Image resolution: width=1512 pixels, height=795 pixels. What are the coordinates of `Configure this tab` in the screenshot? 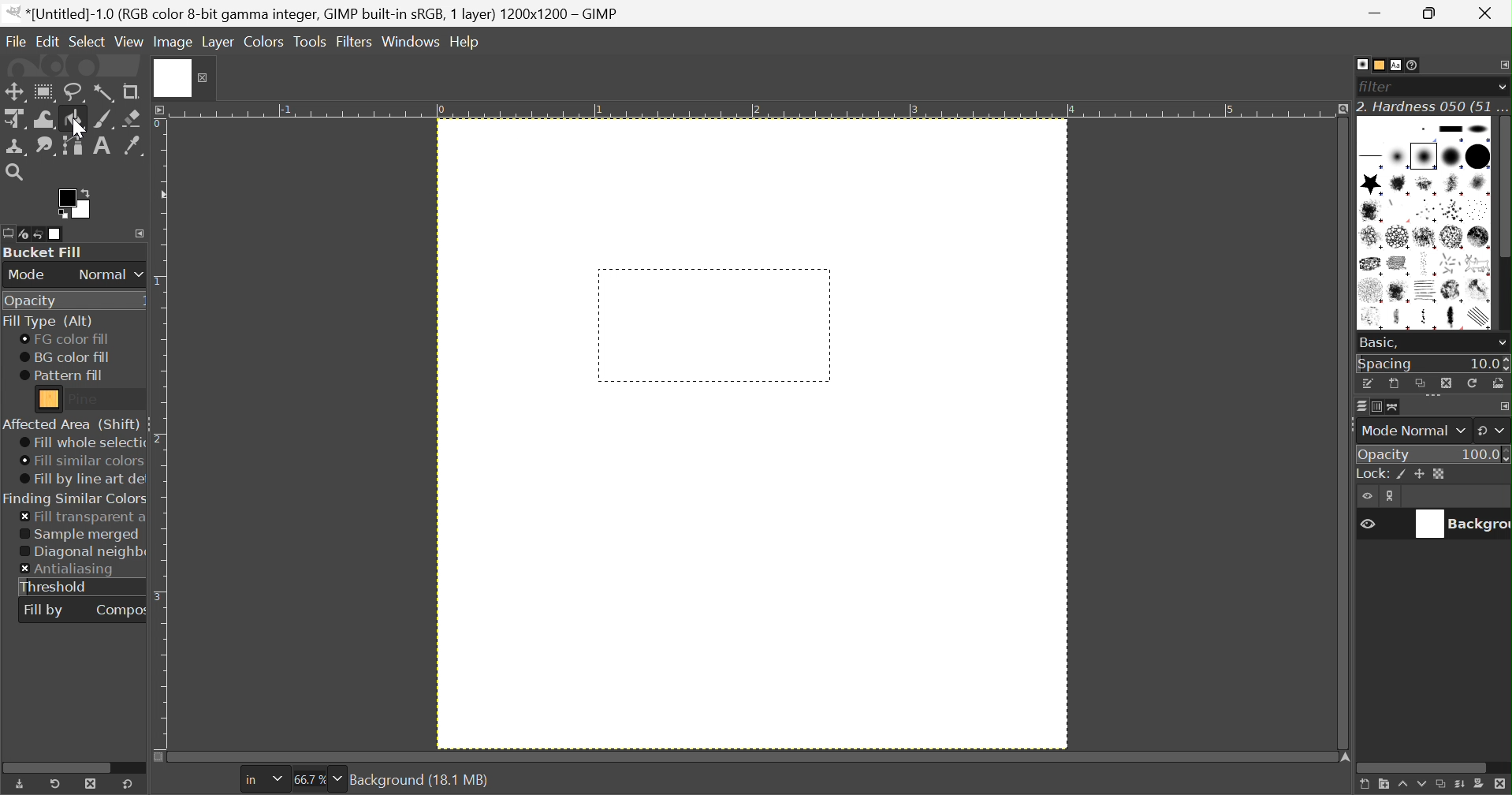 It's located at (1503, 406).